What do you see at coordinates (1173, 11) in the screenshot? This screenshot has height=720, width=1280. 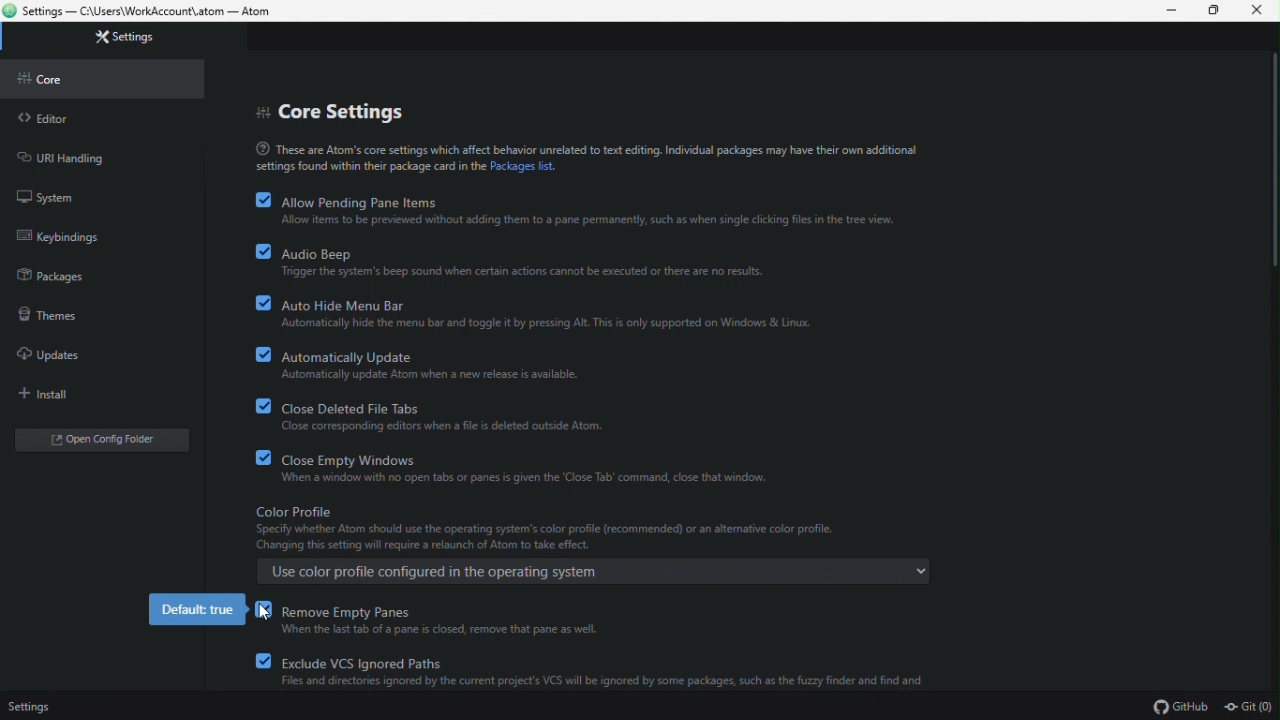 I see `minimize` at bounding box center [1173, 11].